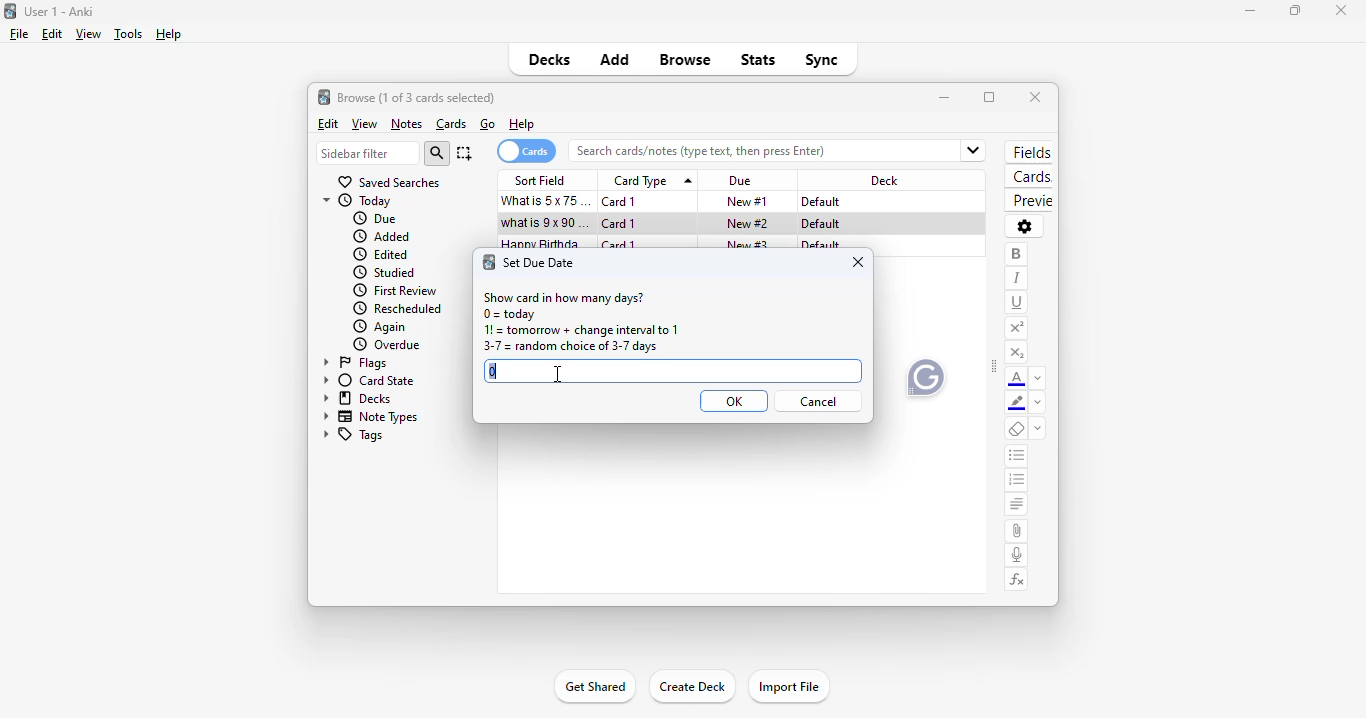 Image resolution: width=1366 pixels, height=718 pixels. What do you see at coordinates (1018, 355) in the screenshot?
I see `subscript` at bounding box center [1018, 355].